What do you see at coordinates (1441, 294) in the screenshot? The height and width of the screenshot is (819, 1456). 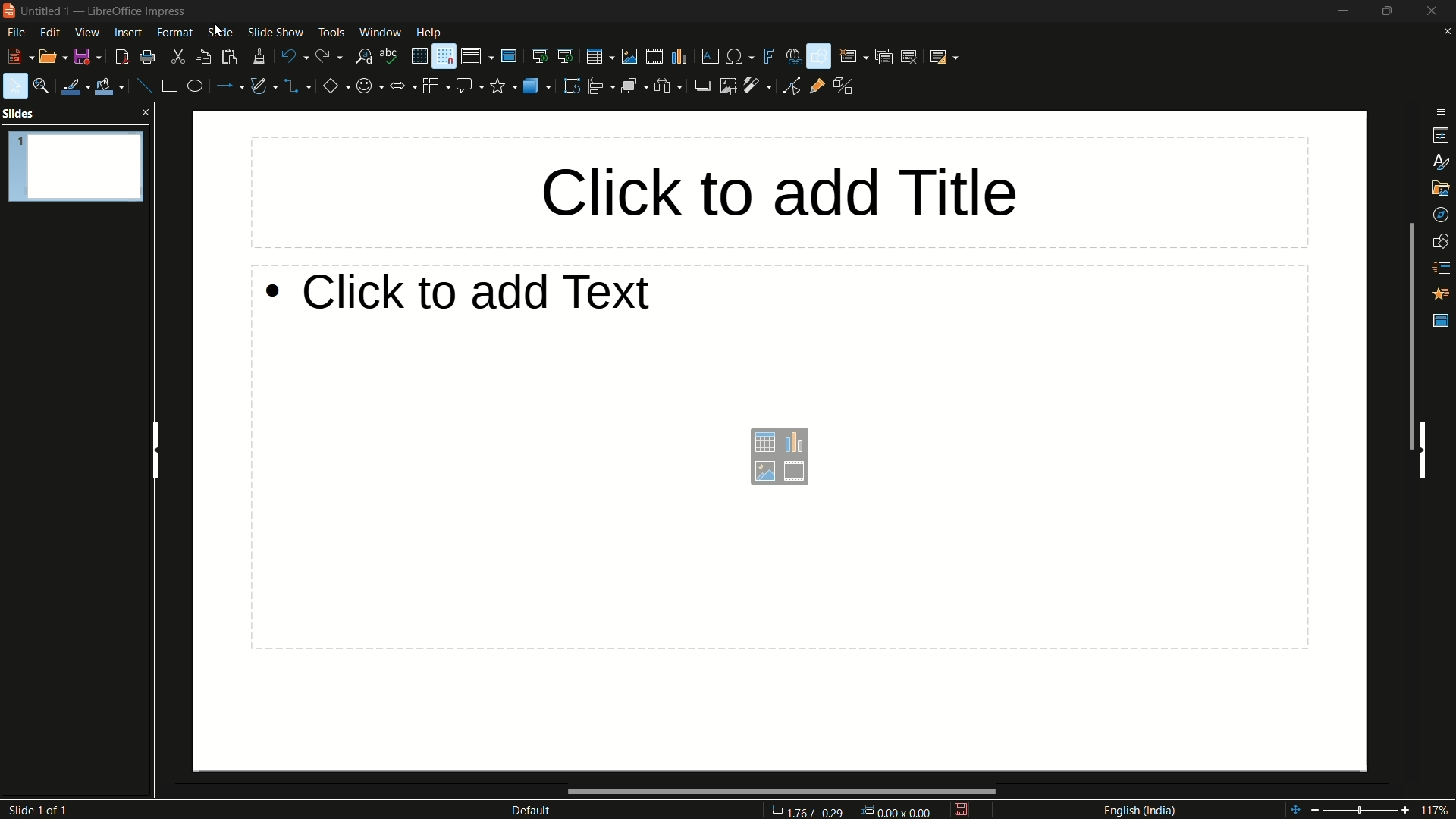 I see `animation` at bounding box center [1441, 294].